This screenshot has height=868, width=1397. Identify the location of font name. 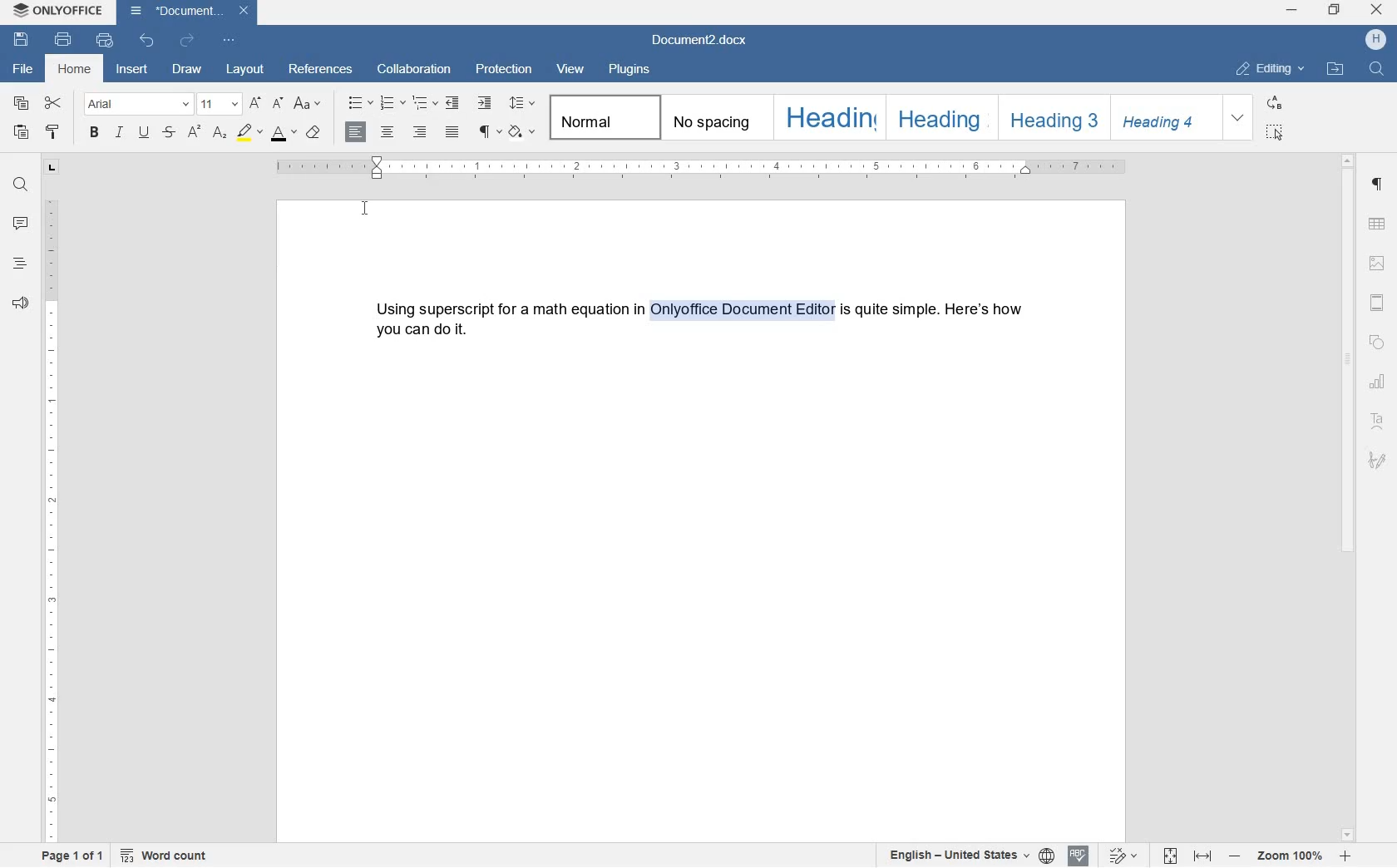
(138, 104).